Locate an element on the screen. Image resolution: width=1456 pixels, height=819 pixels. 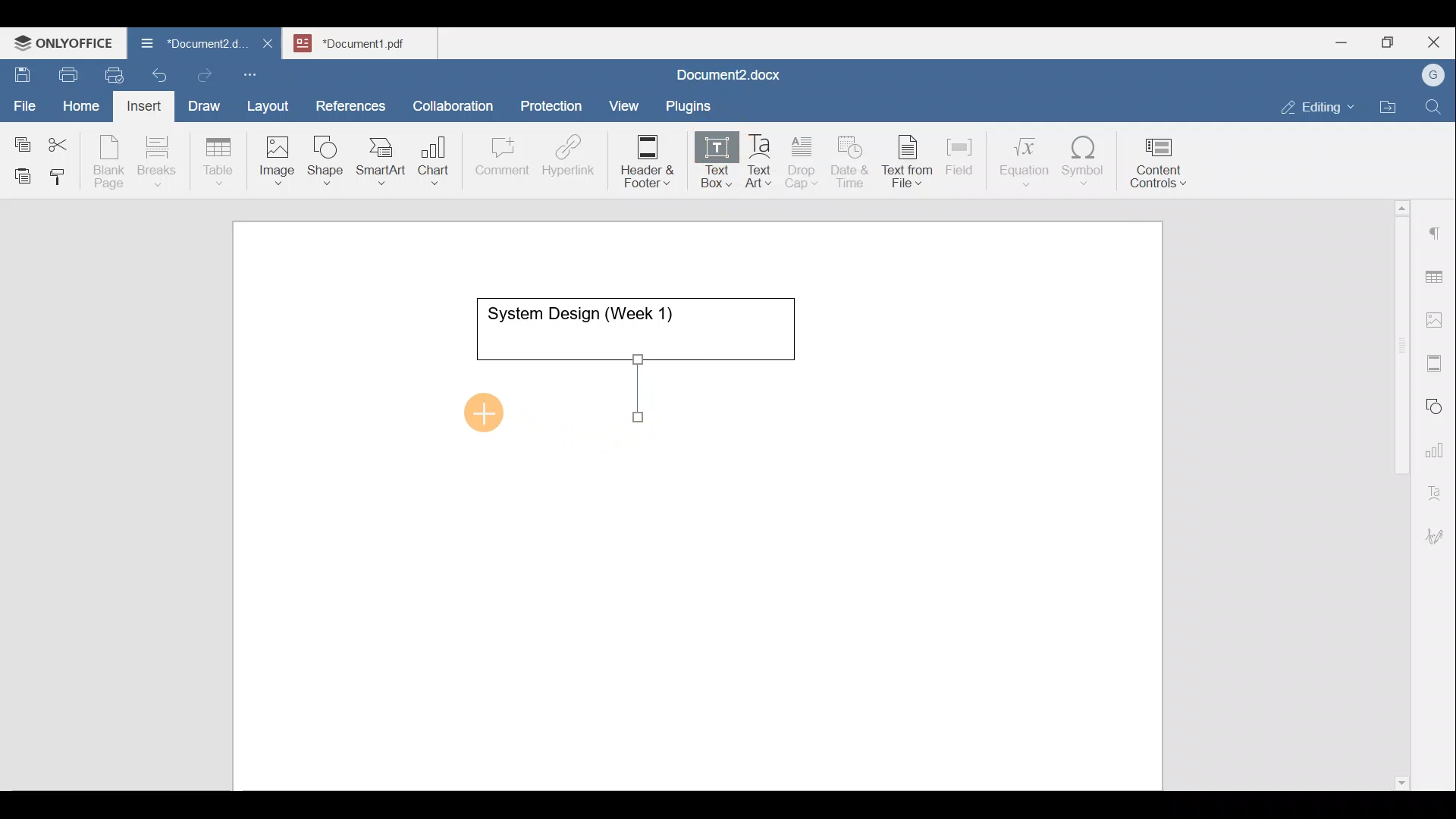
Customize quick access toolbar is located at coordinates (256, 72).